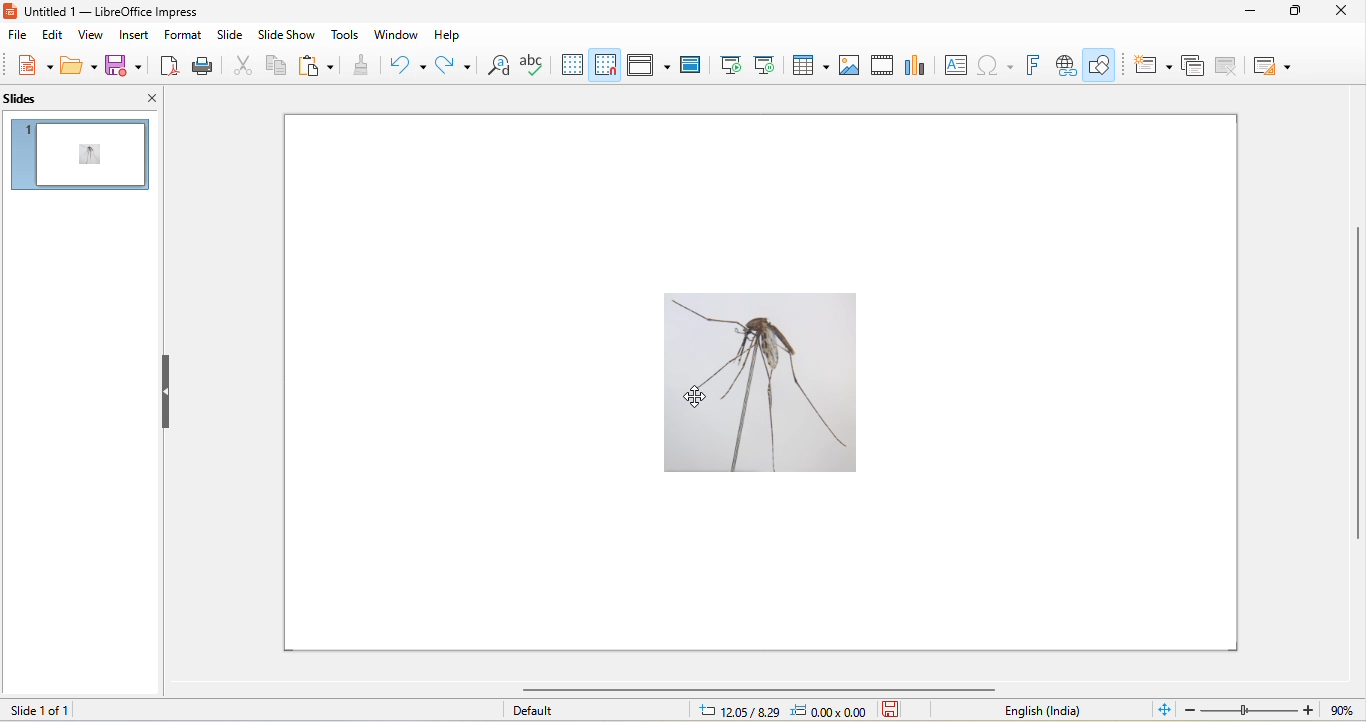  I want to click on fontwork text, so click(1036, 65).